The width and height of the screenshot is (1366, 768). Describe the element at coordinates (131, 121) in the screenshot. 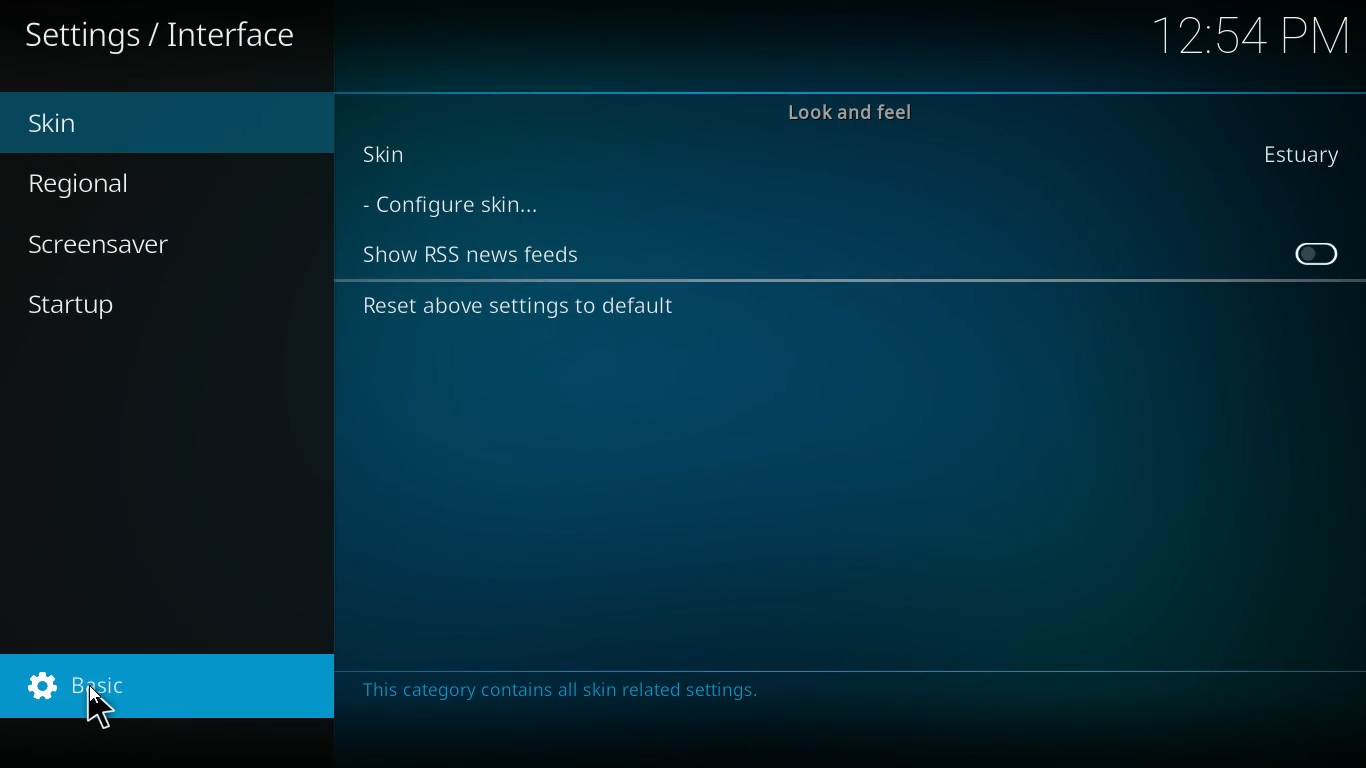

I see `skin` at that location.